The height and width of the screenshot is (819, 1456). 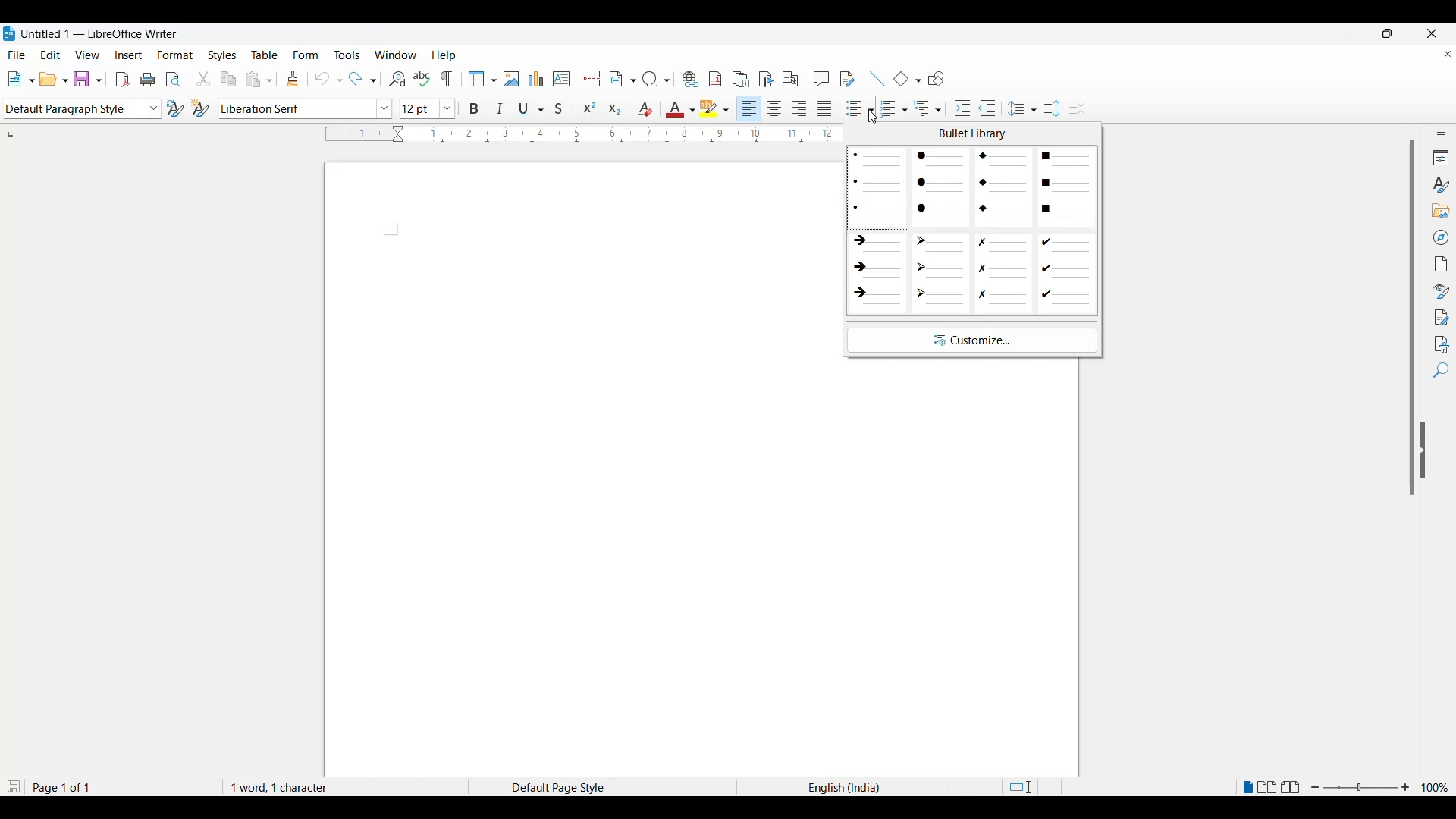 What do you see at coordinates (347, 53) in the screenshot?
I see `Tools` at bounding box center [347, 53].